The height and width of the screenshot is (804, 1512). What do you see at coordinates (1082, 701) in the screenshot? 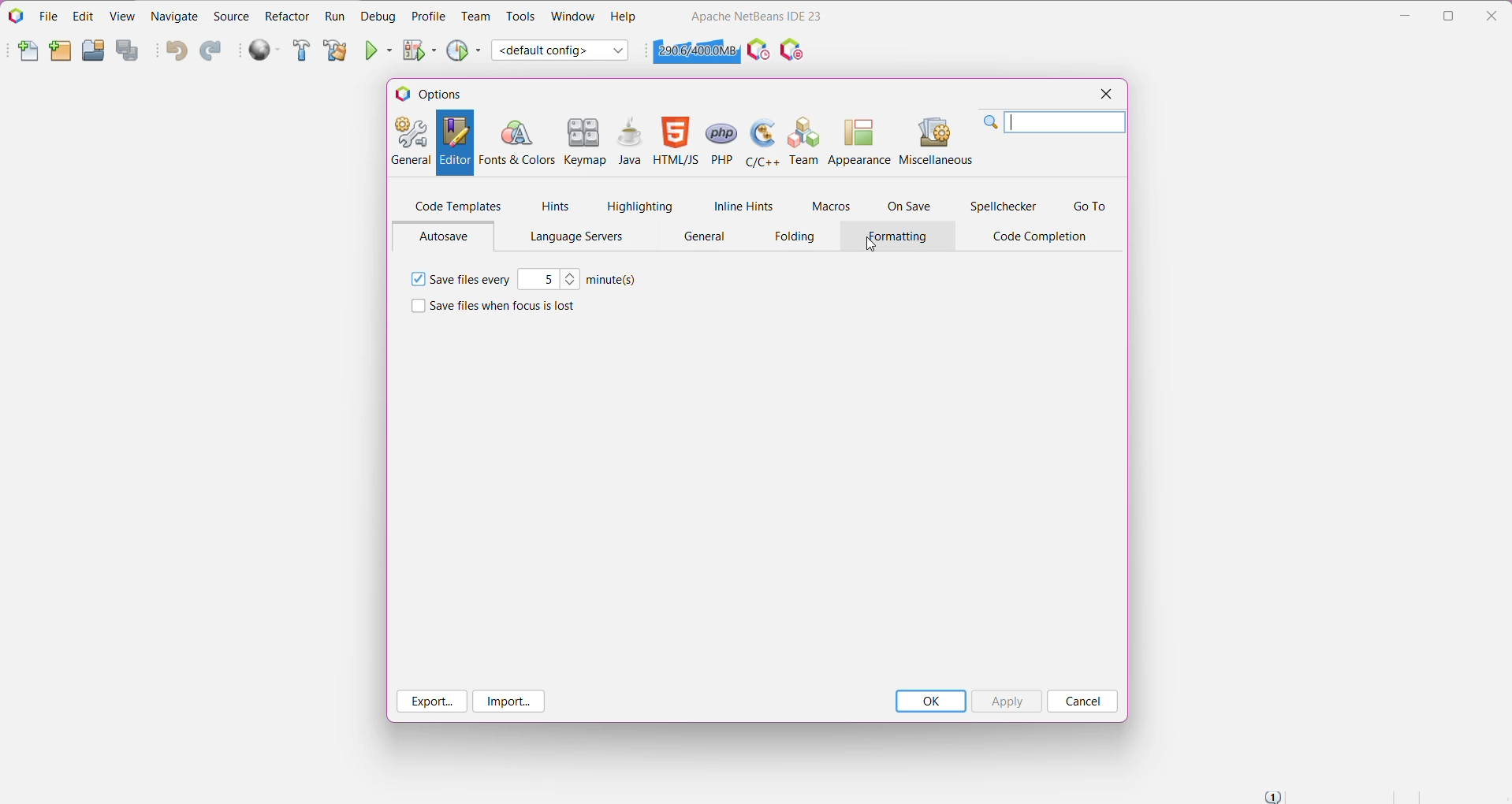
I see `Cancel` at bounding box center [1082, 701].